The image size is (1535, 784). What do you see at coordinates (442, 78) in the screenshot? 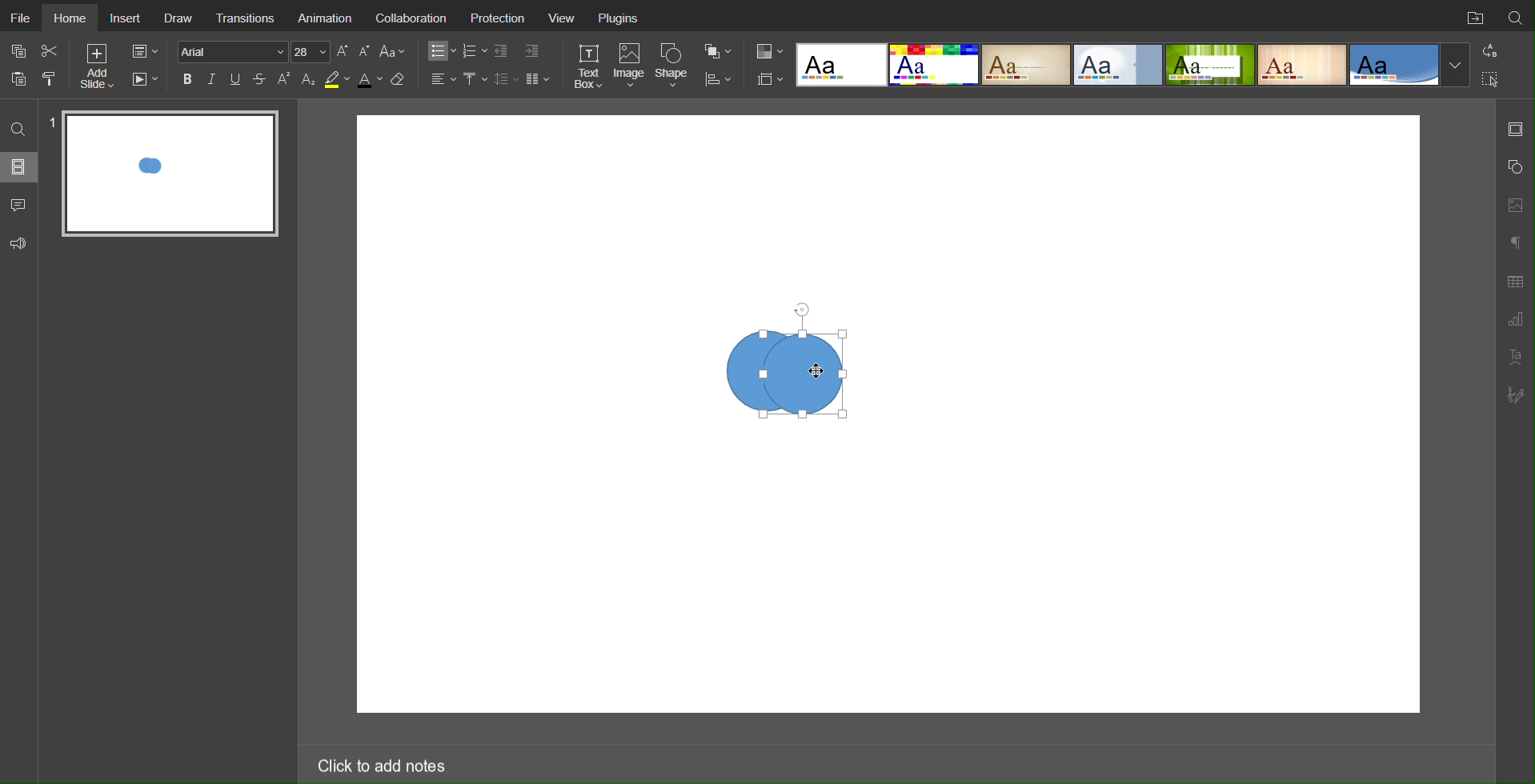
I see `Alignment` at bounding box center [442, 78].